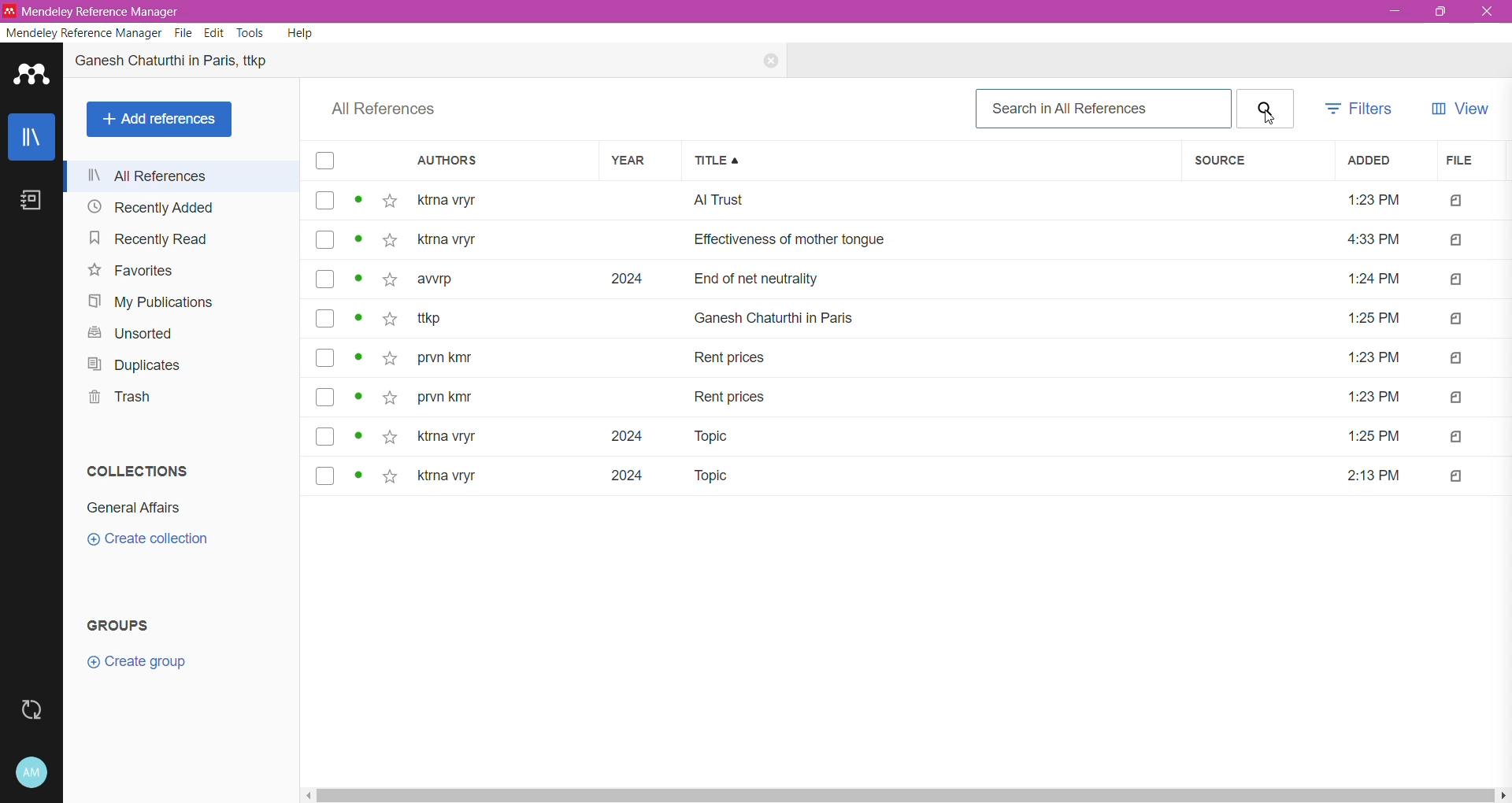  What do you see at coordinates (1268, 115) in the screenshot?
I see `cursor` at bounding box center [1268, 115].